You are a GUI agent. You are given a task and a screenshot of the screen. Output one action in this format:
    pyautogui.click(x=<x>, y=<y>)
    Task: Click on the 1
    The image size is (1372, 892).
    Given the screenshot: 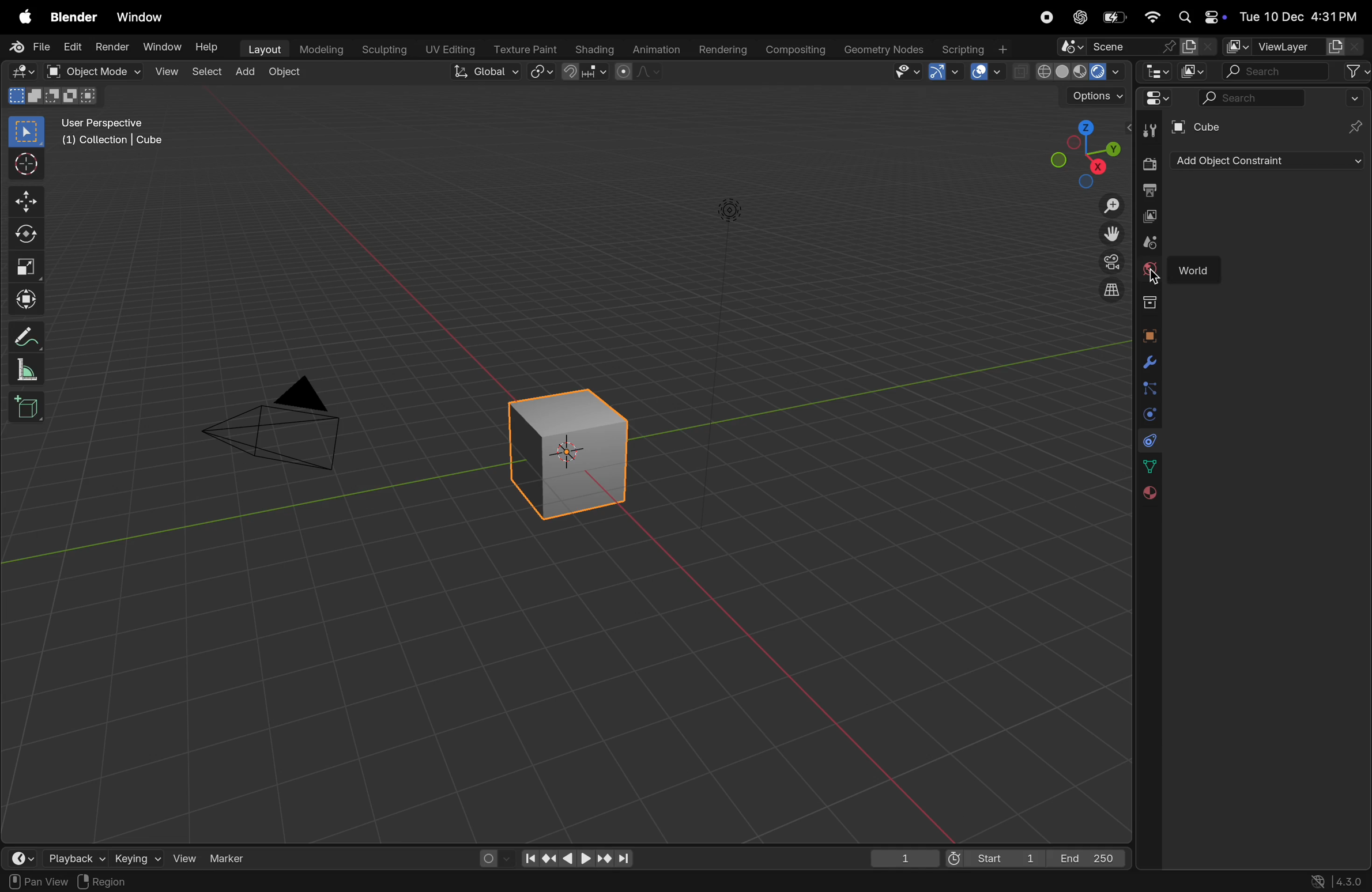 What is the action you would take?
    pyautogui.click(x=904, y=856)
    